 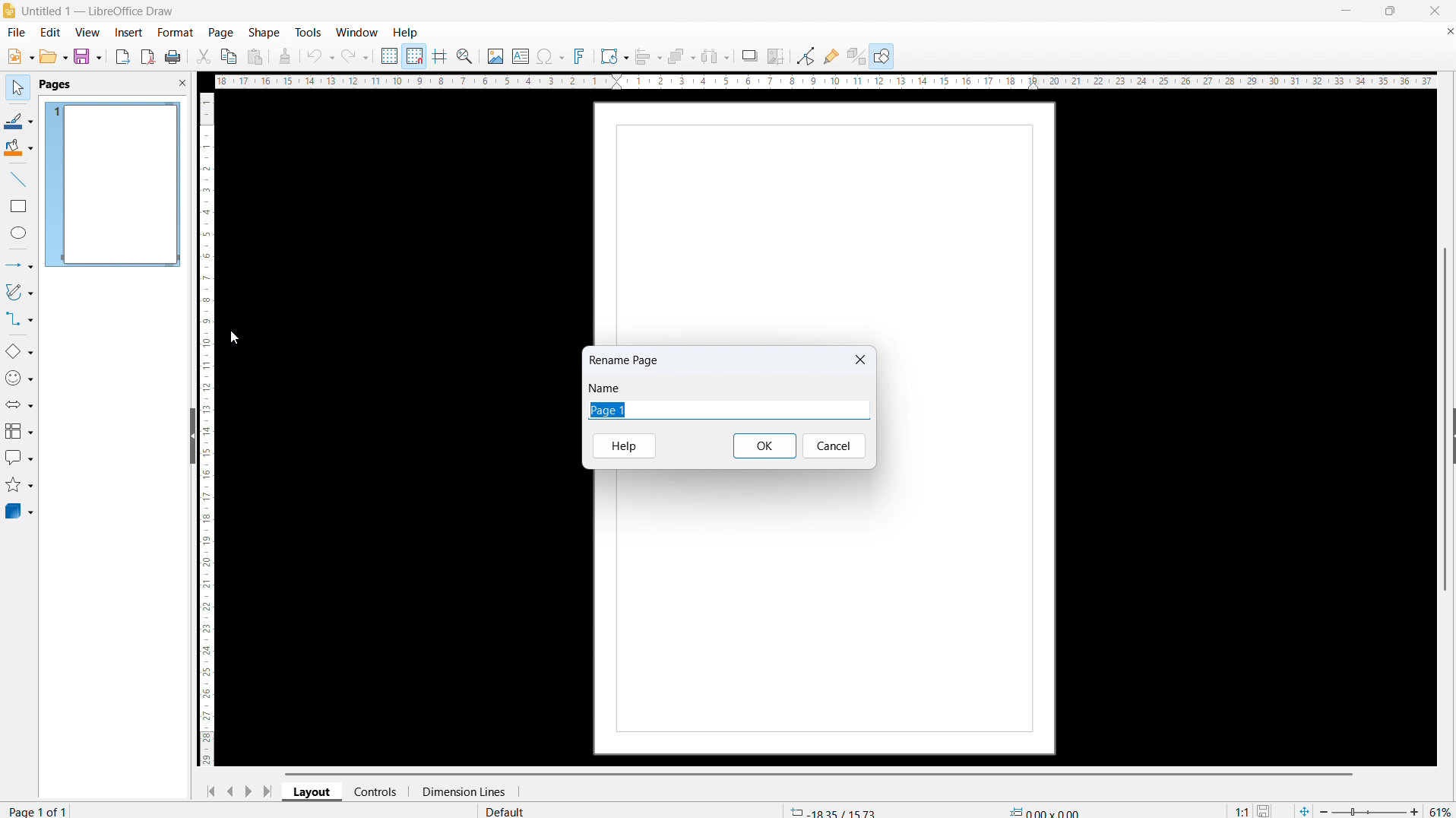 What do you see at coordinates (9, 11) in the screenshot?
I see `logo` at bounding box center [9, 11].